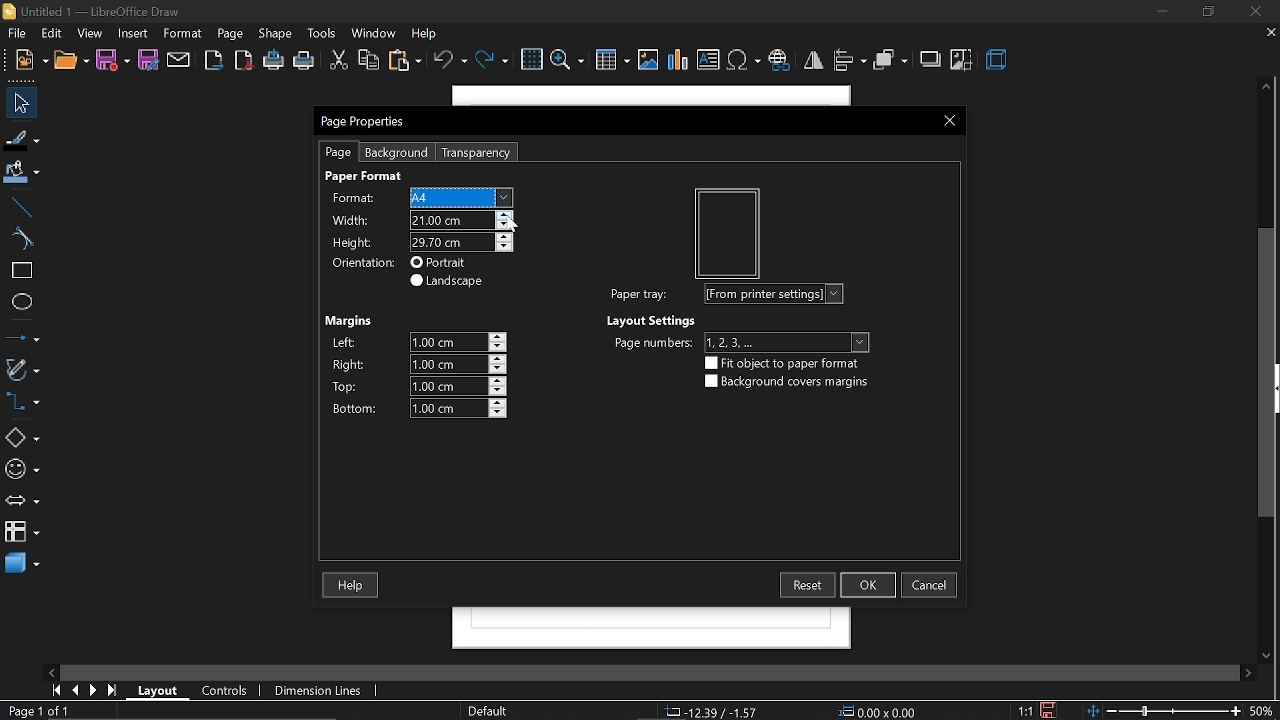 Image resolution: width=1280 pixels, height=720 pixels. What do you see at coordinates (181, 60) in the screenshot?
I see `attach` at bounding box center [181, 60].